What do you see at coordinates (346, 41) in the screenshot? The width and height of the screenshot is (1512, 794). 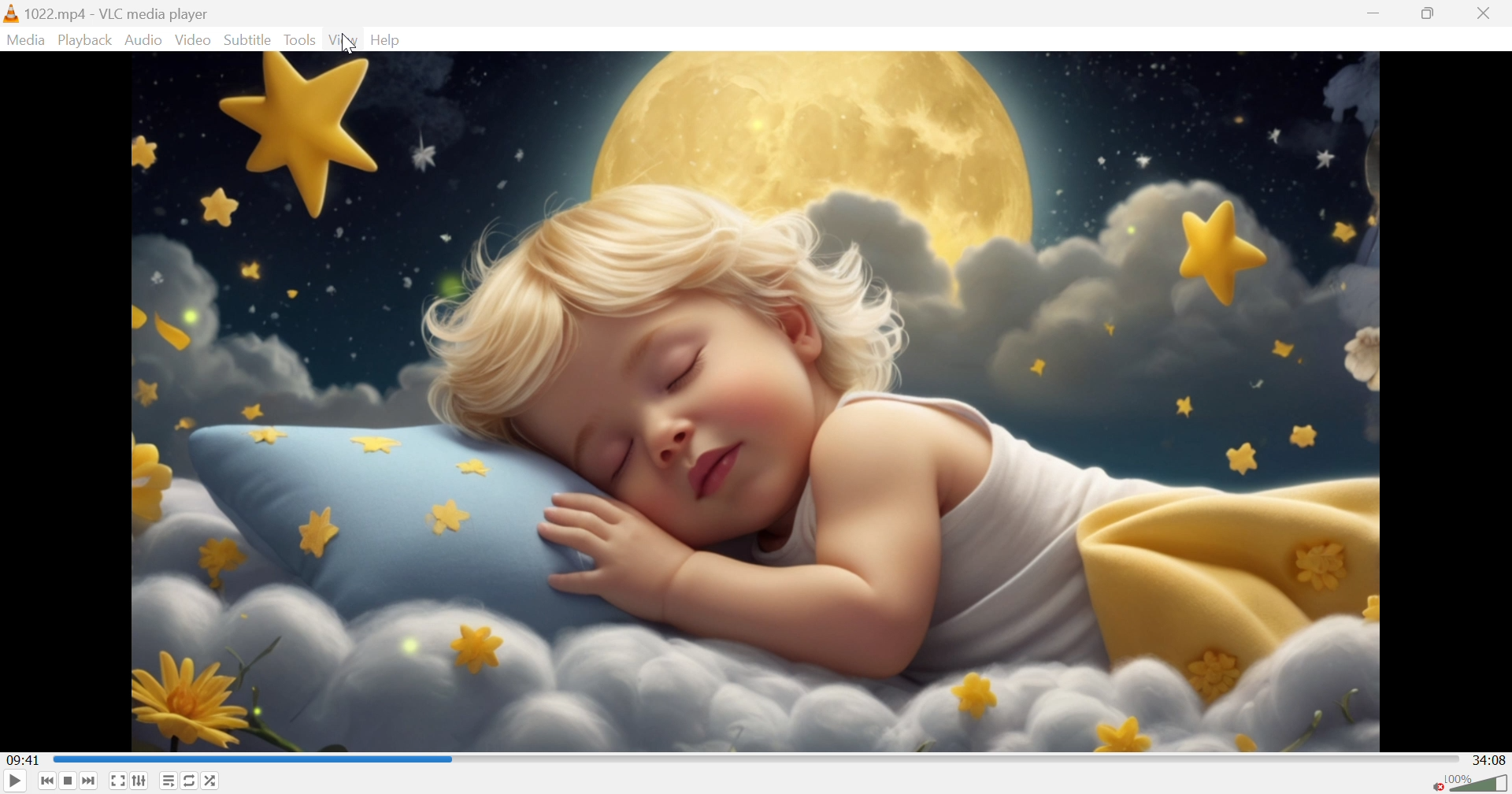 I see `Video` at bounding box center [346, 41].